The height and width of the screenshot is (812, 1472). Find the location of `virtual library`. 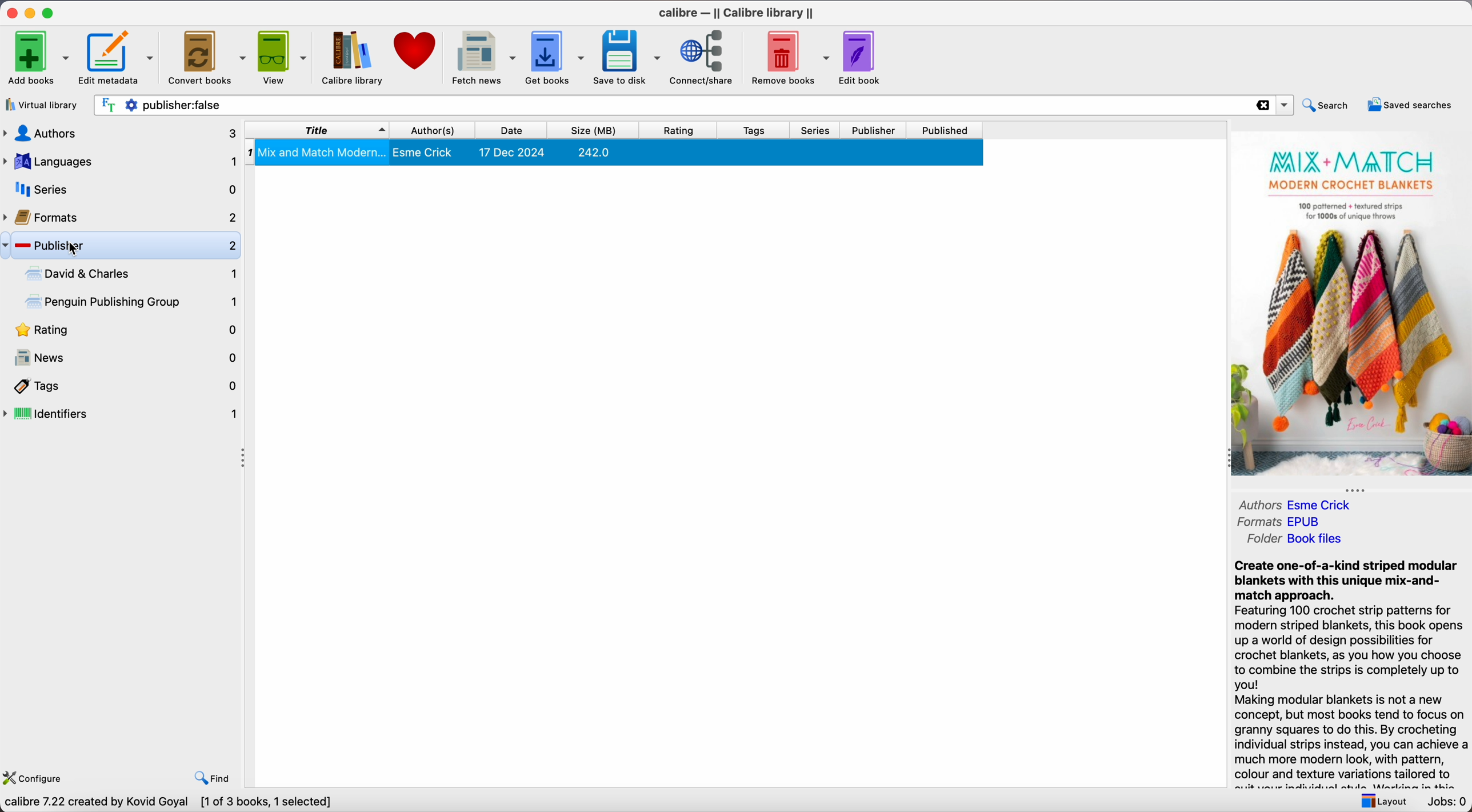

virtual library is located at coordinates (44, 105).